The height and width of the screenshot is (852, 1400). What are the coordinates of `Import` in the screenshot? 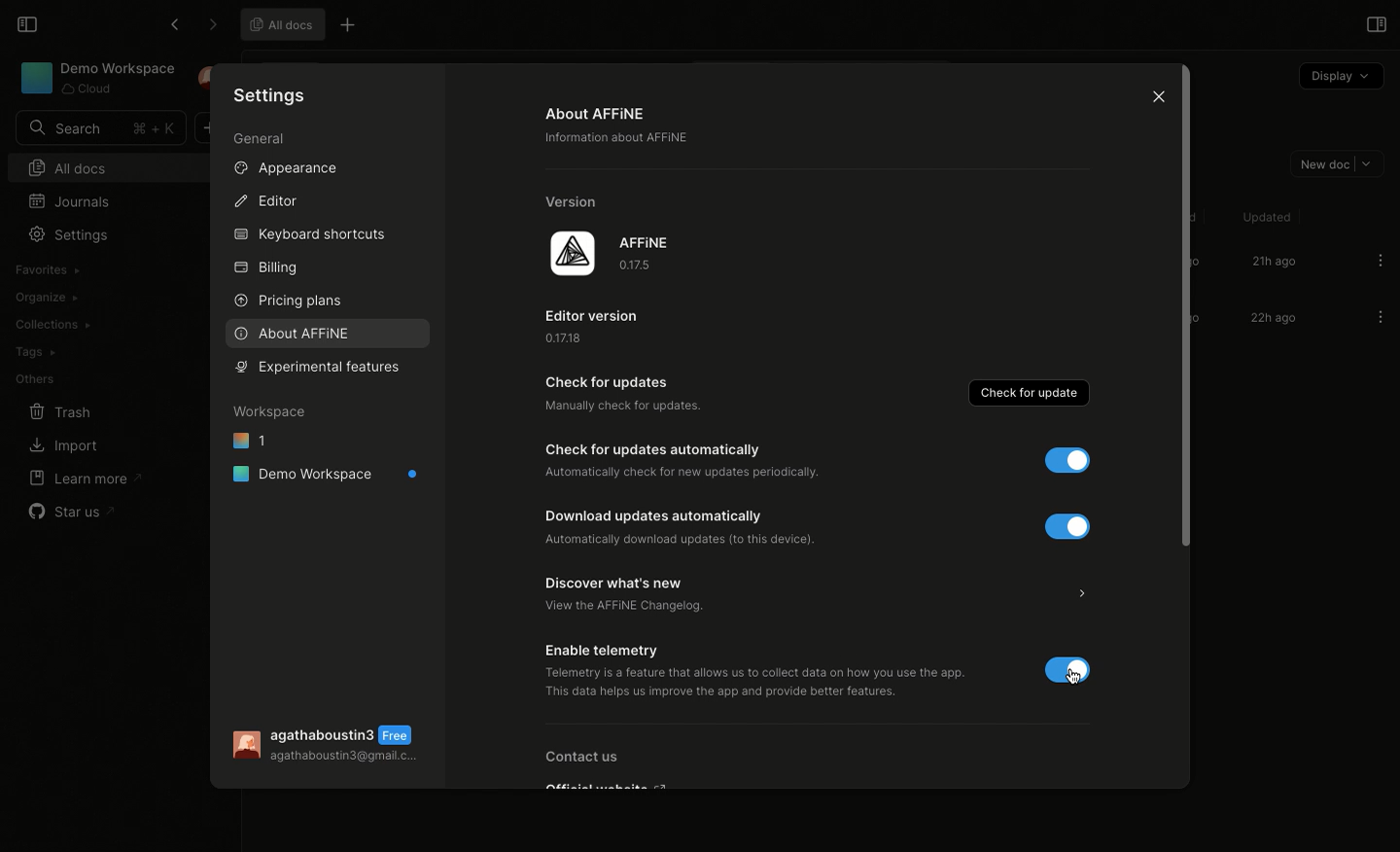 It's located at (61, 447).